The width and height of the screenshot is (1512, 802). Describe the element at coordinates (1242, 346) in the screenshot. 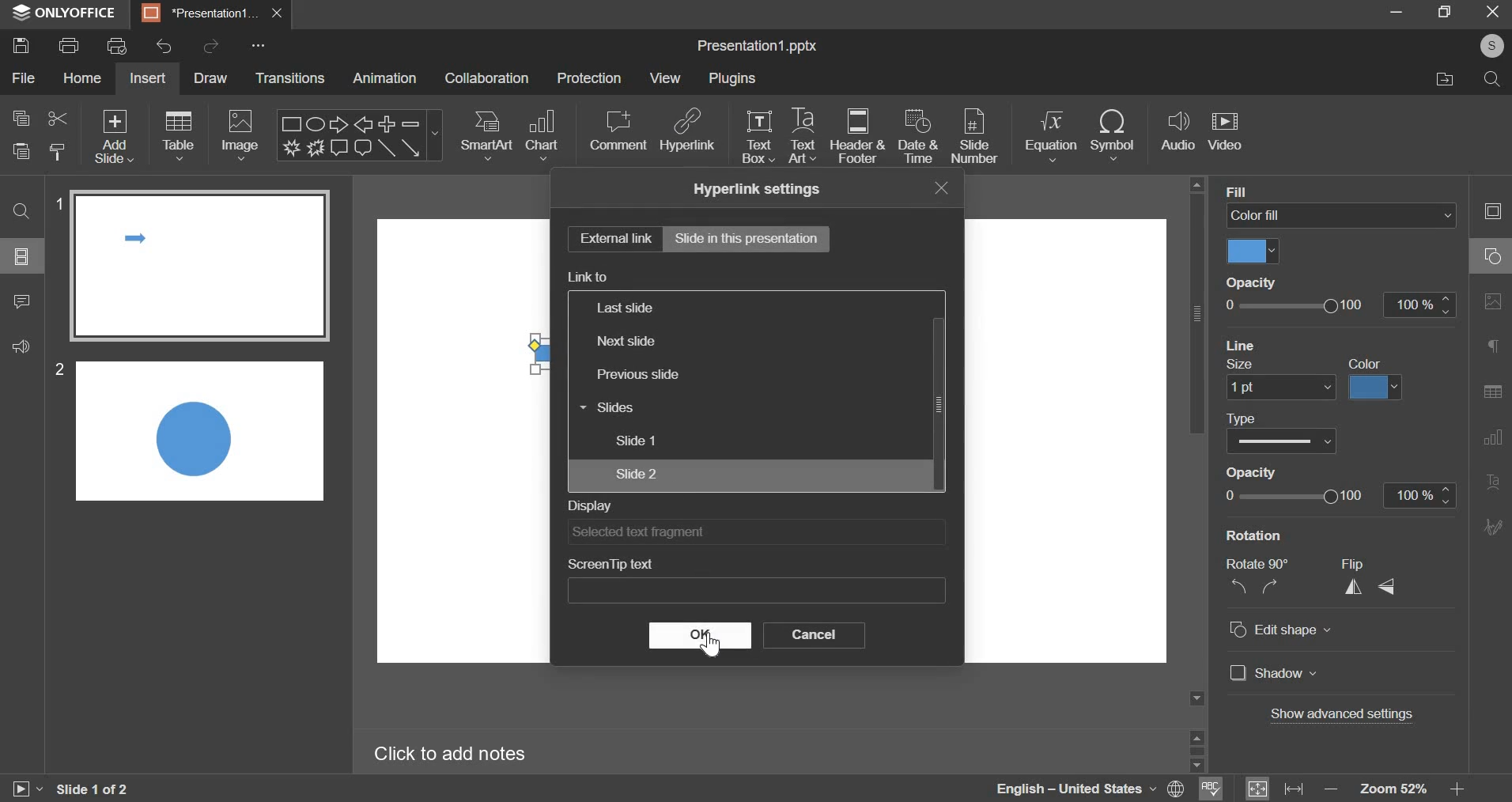

I see `Line` at that location.